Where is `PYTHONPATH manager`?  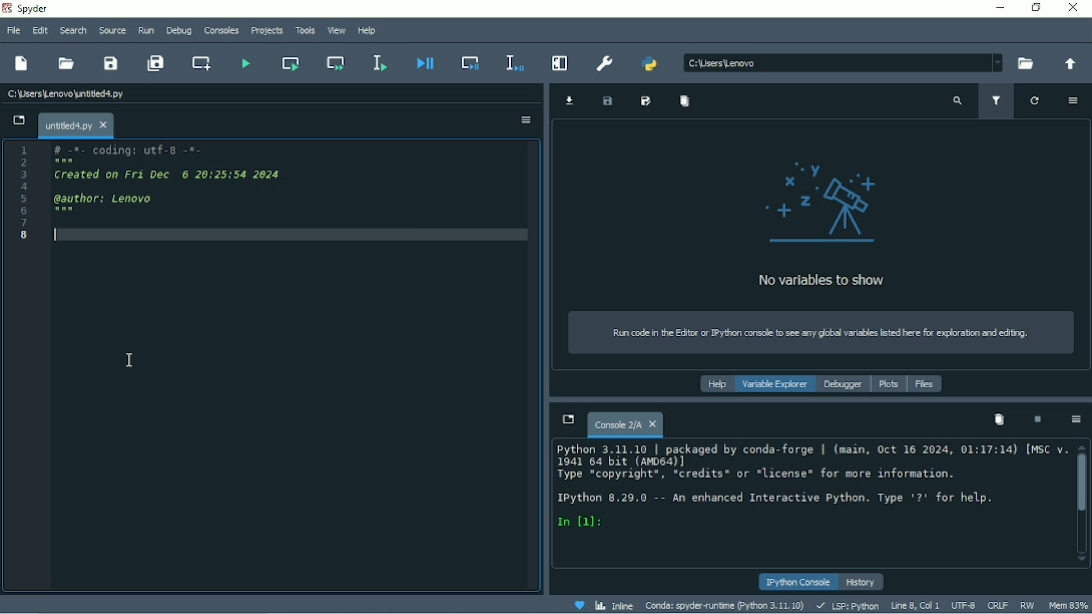
PYTHONPATH manager is located at coordinates (649, 65).